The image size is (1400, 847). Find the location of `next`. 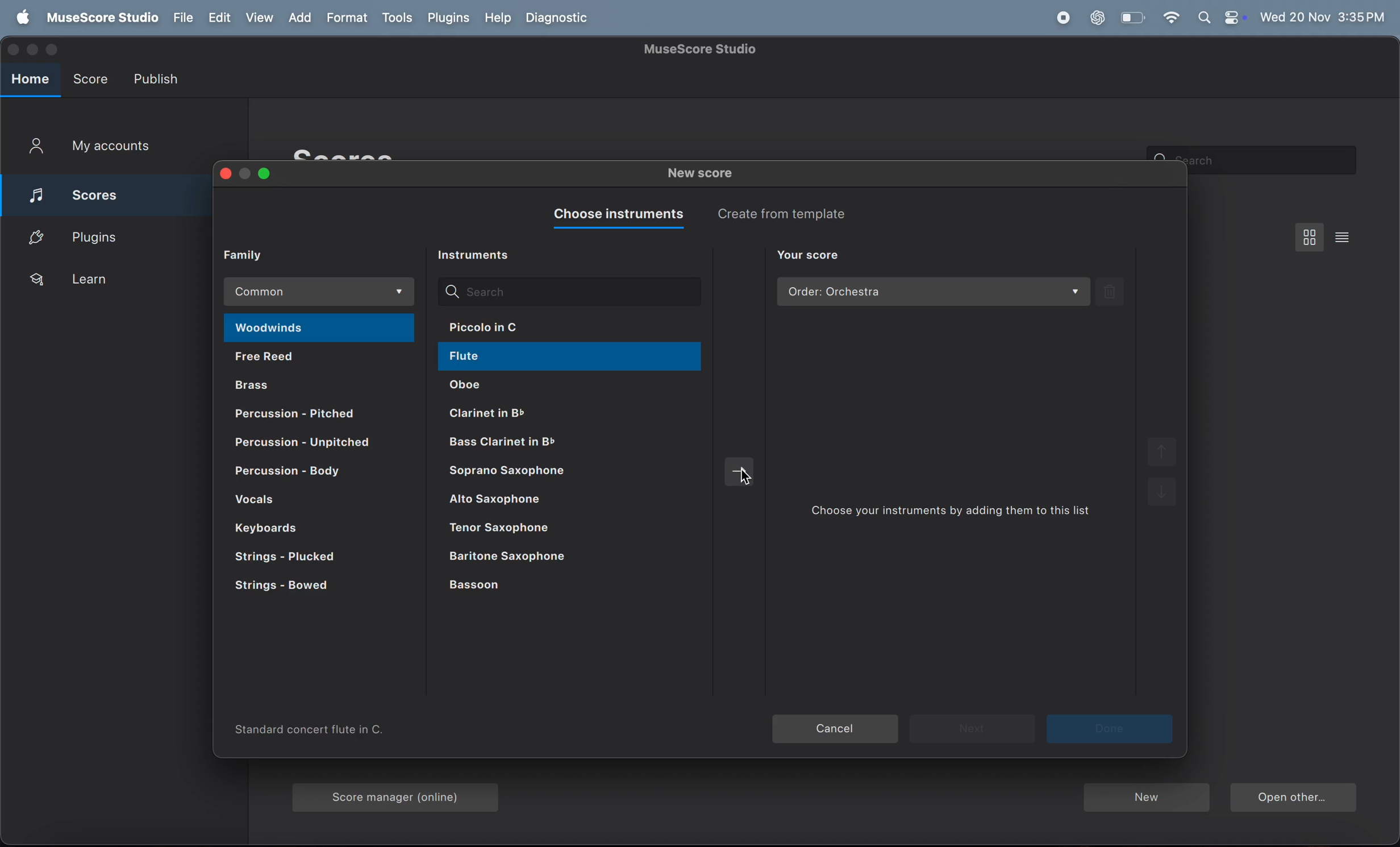

next is located at coordinates (972, 728).